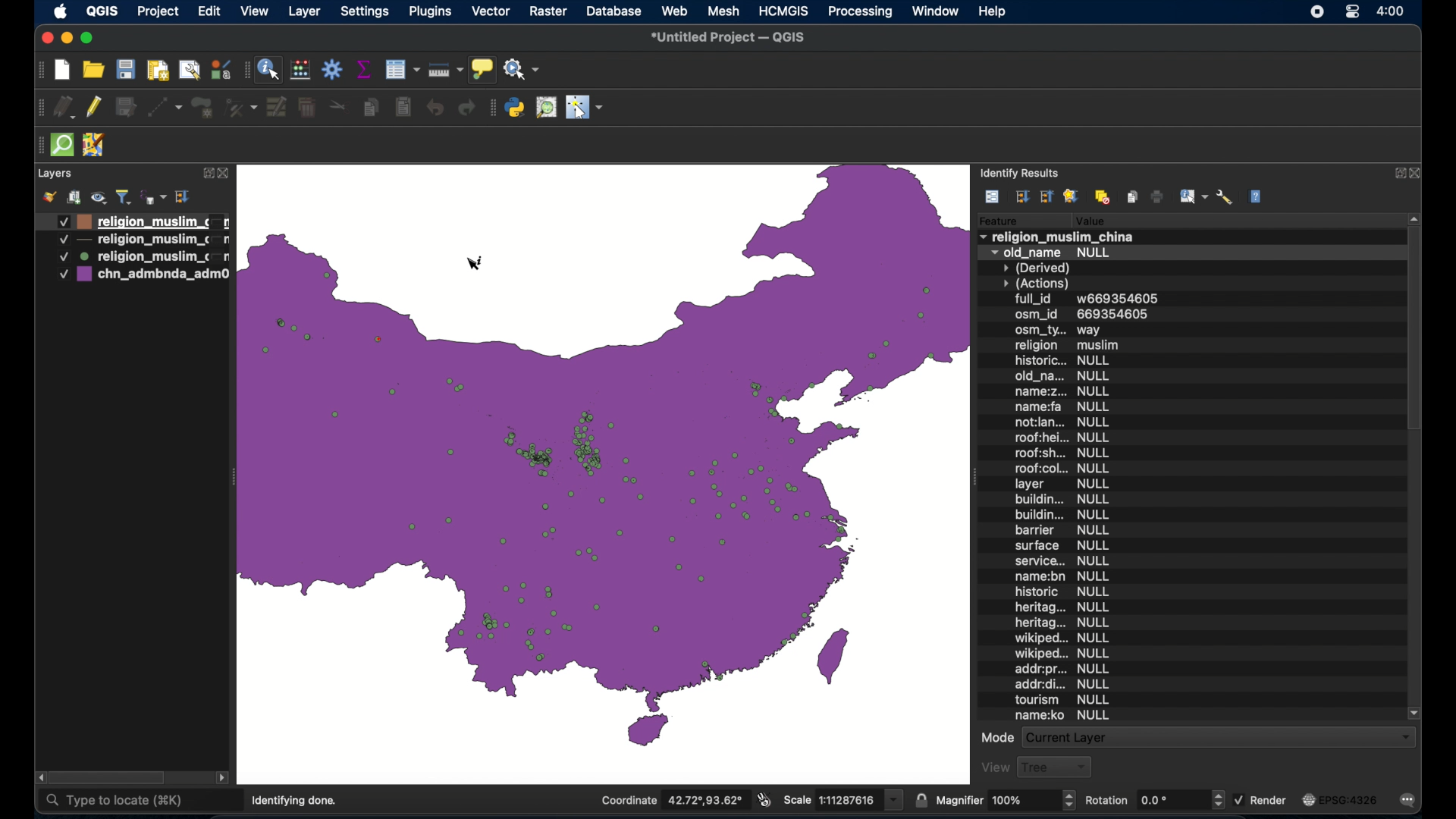 Image resolution: width=1456 pixels, height=819 pixels. I want to click on lock scale, so click(921, 800).